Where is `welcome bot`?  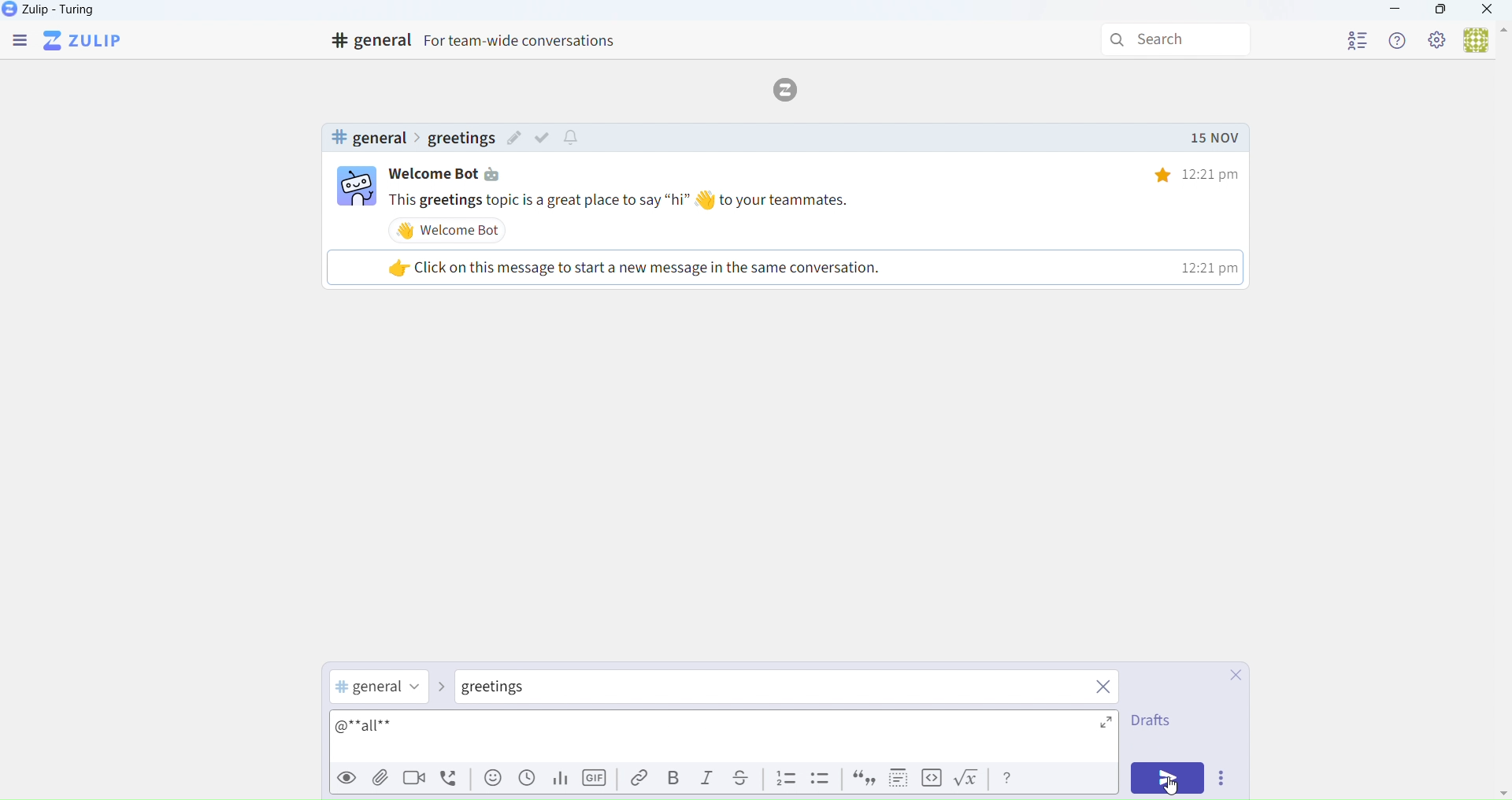
welcome bot is located at coordinates (452, 230).